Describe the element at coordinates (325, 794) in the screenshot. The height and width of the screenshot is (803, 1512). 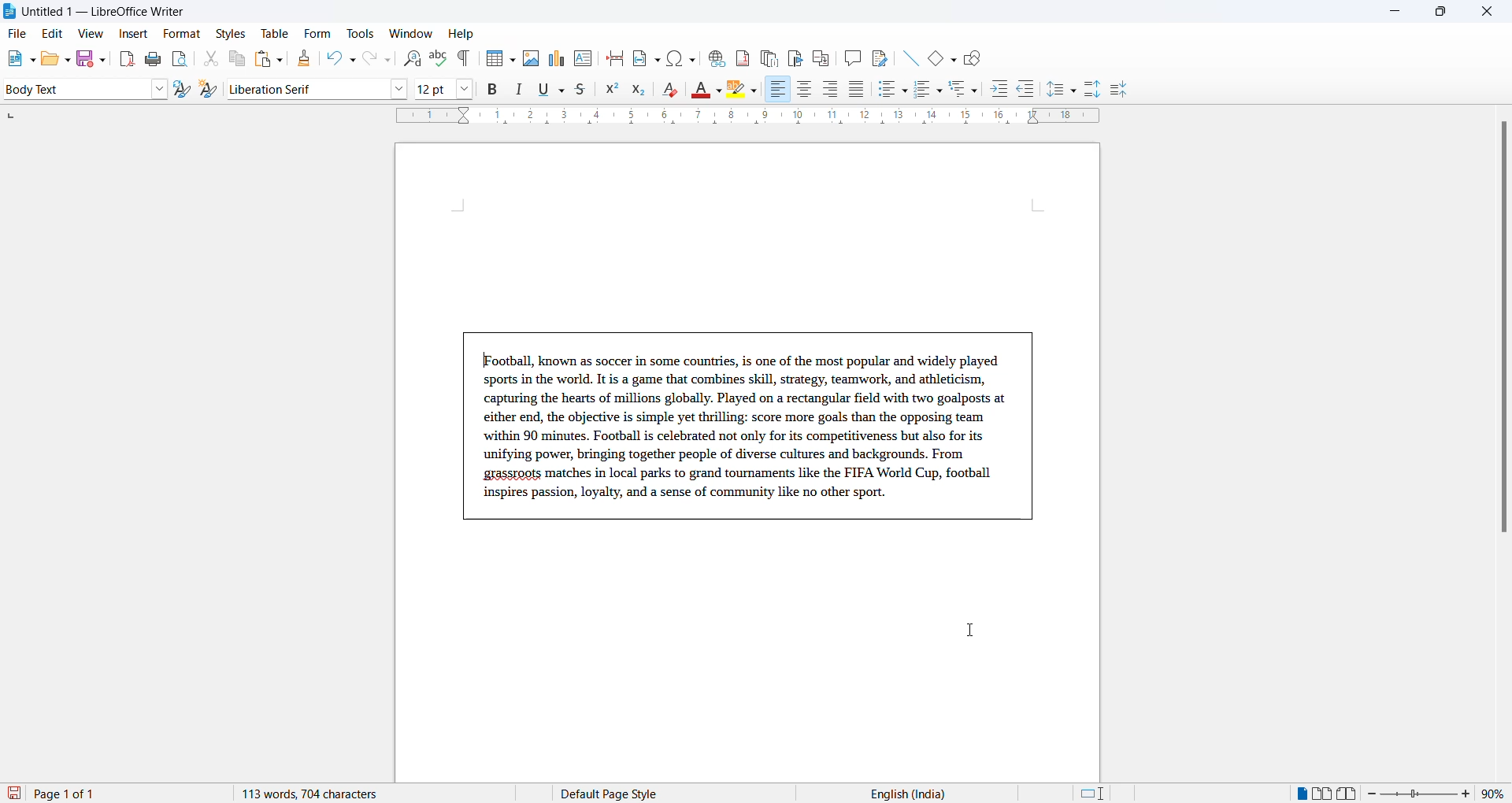
I see `words and character count ` at that location.